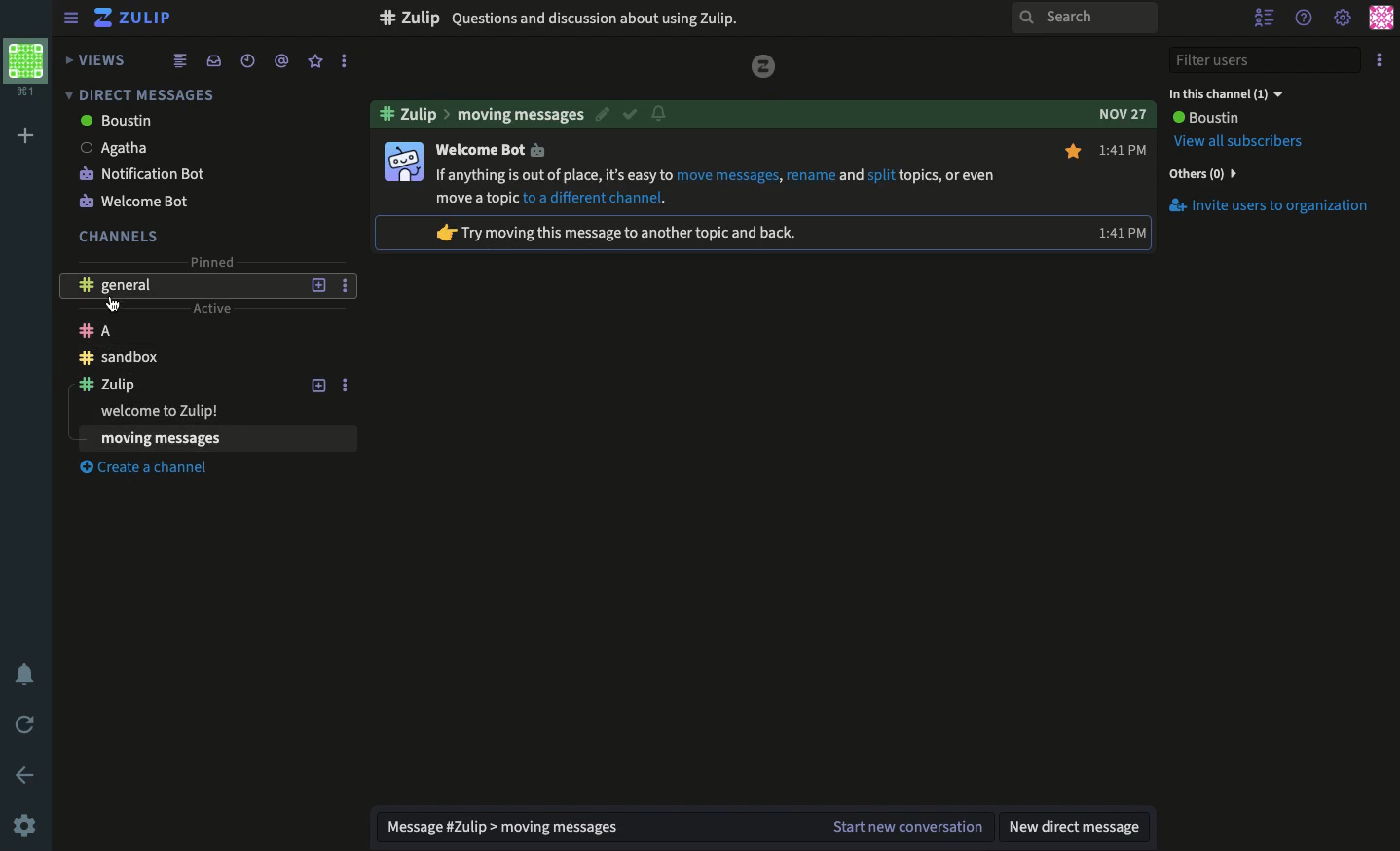  I want to click on Notification, so click(660, 113).